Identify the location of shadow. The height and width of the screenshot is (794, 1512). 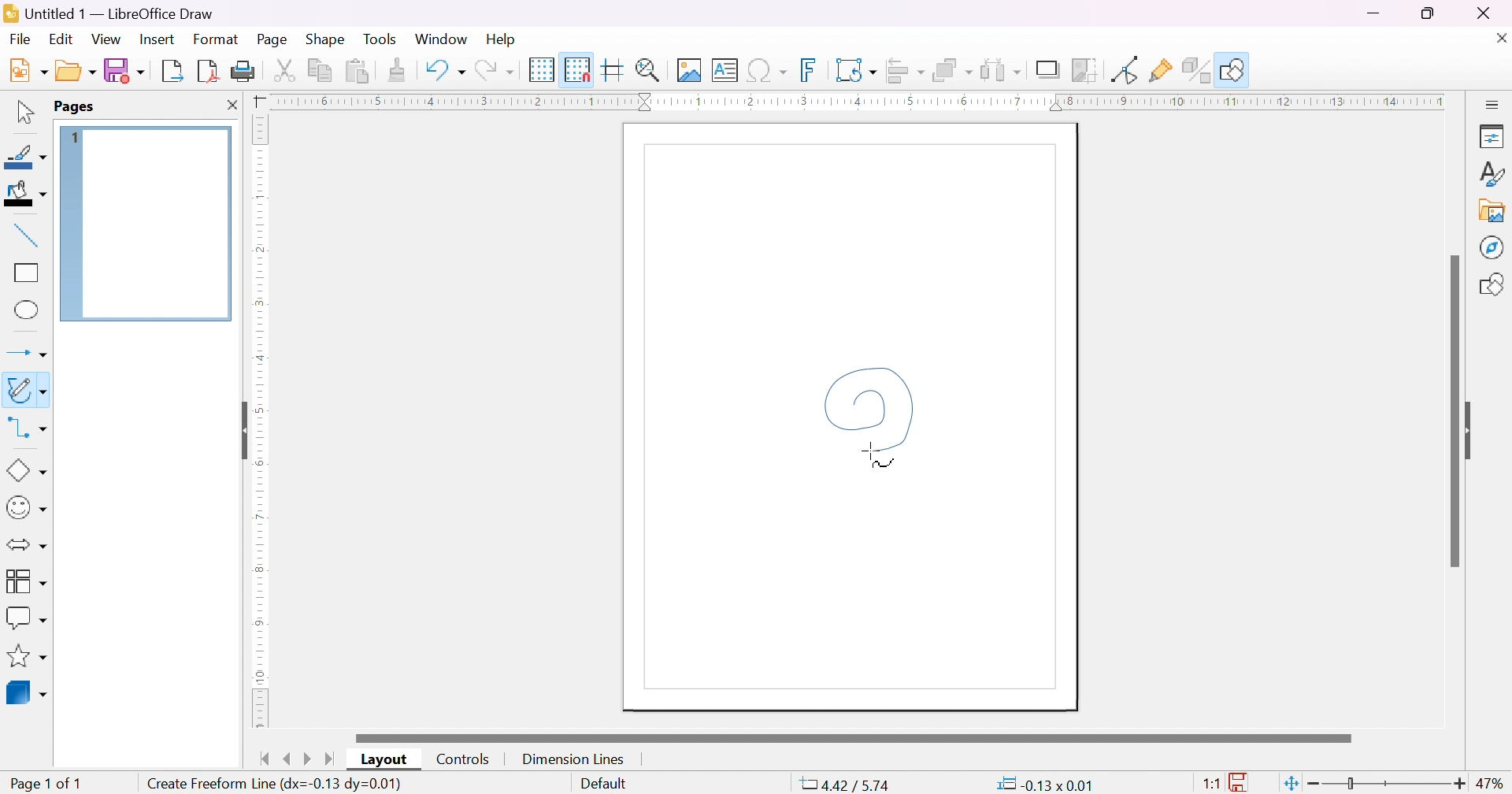
(1049, 71).